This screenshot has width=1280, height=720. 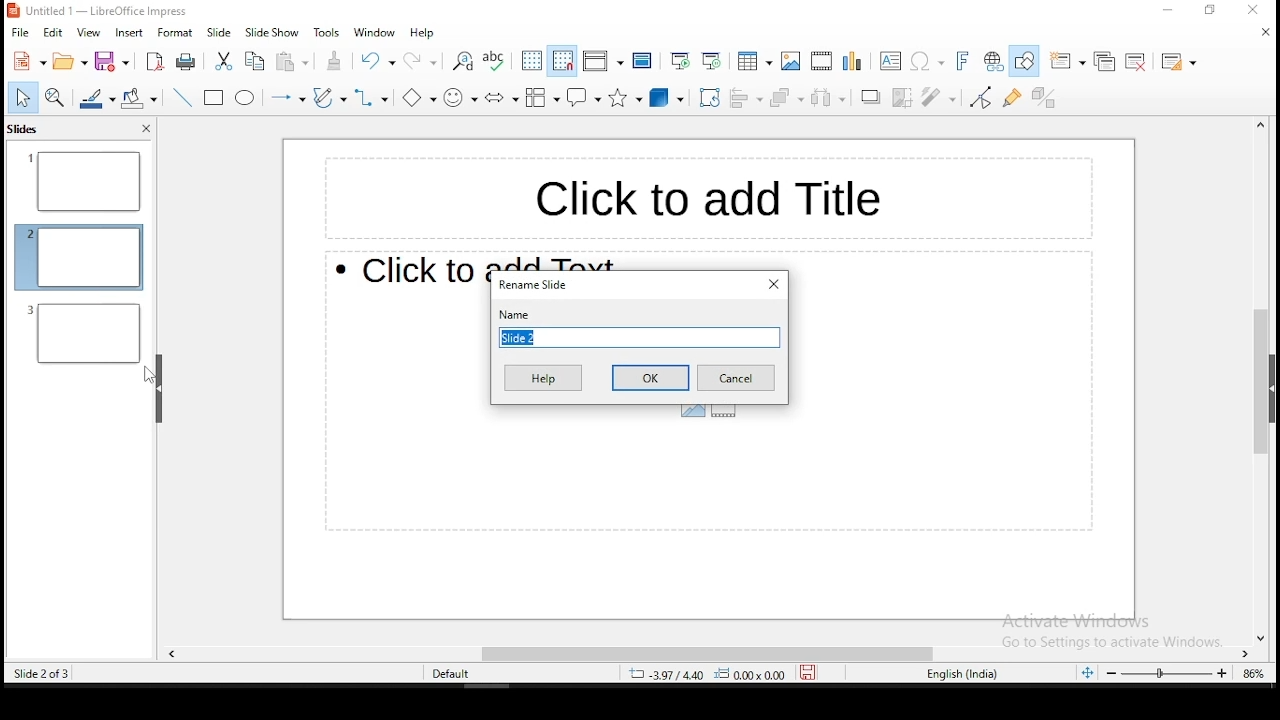 What do you see at coordinates (1178, 62) in the screenshot?
I see ` slide layout` at bounding box center [1178, 62].